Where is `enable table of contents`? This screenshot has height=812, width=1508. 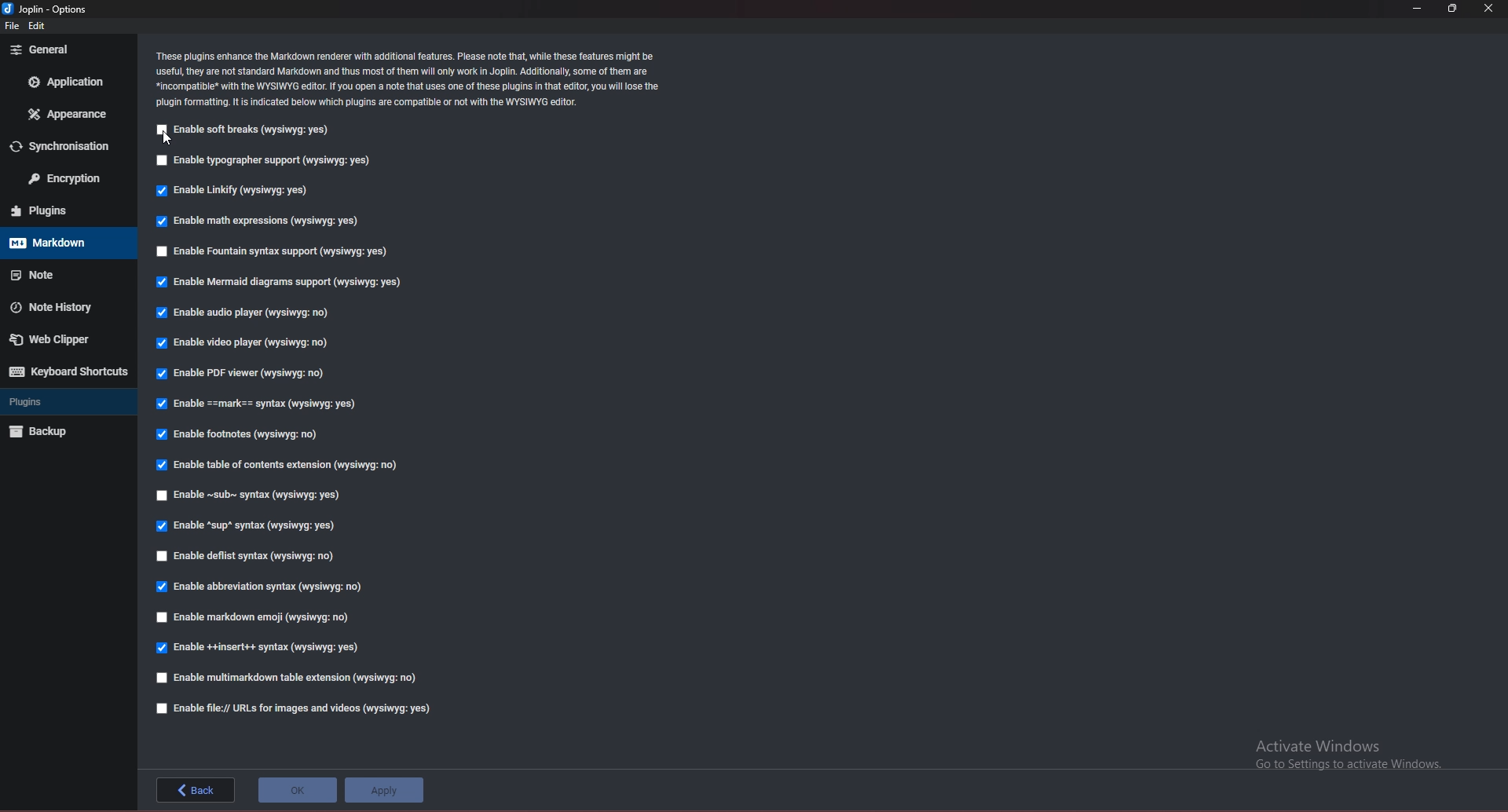 enable table of contents is located at coordinates (281, 464).